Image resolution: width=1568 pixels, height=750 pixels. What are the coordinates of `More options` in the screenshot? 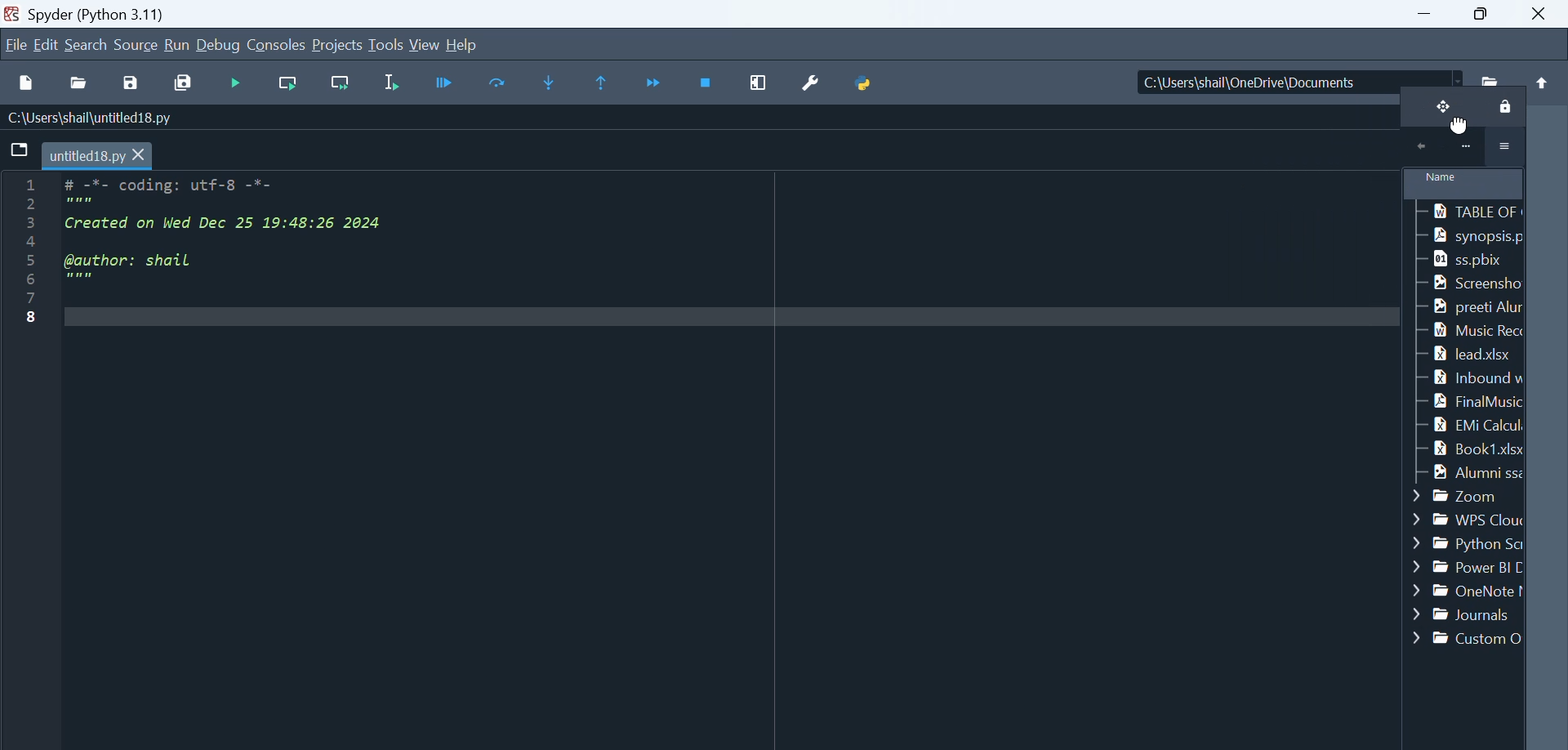 It's located at (1504, 147).